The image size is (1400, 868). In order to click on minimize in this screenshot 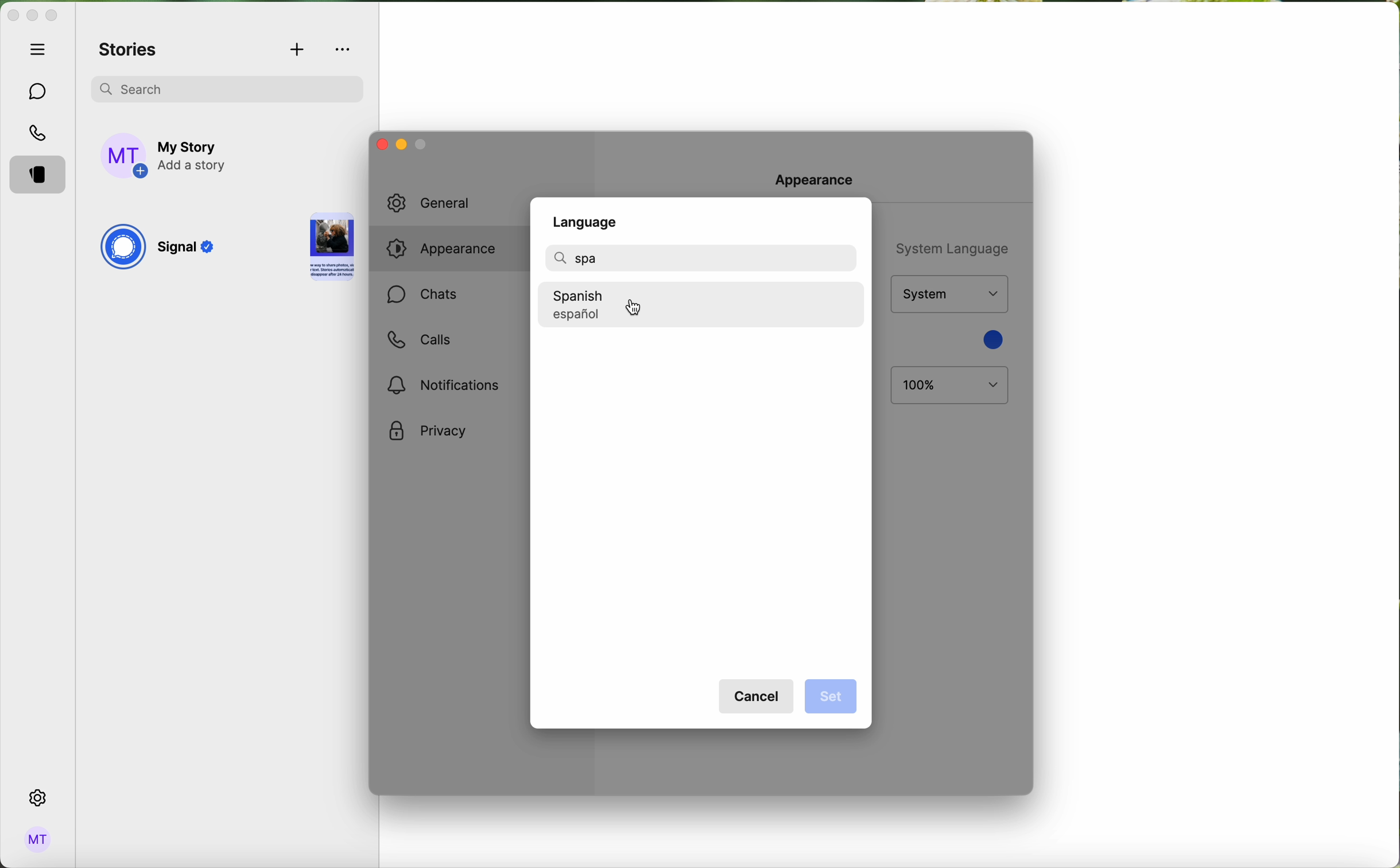, I will do `click(400, 146)`.